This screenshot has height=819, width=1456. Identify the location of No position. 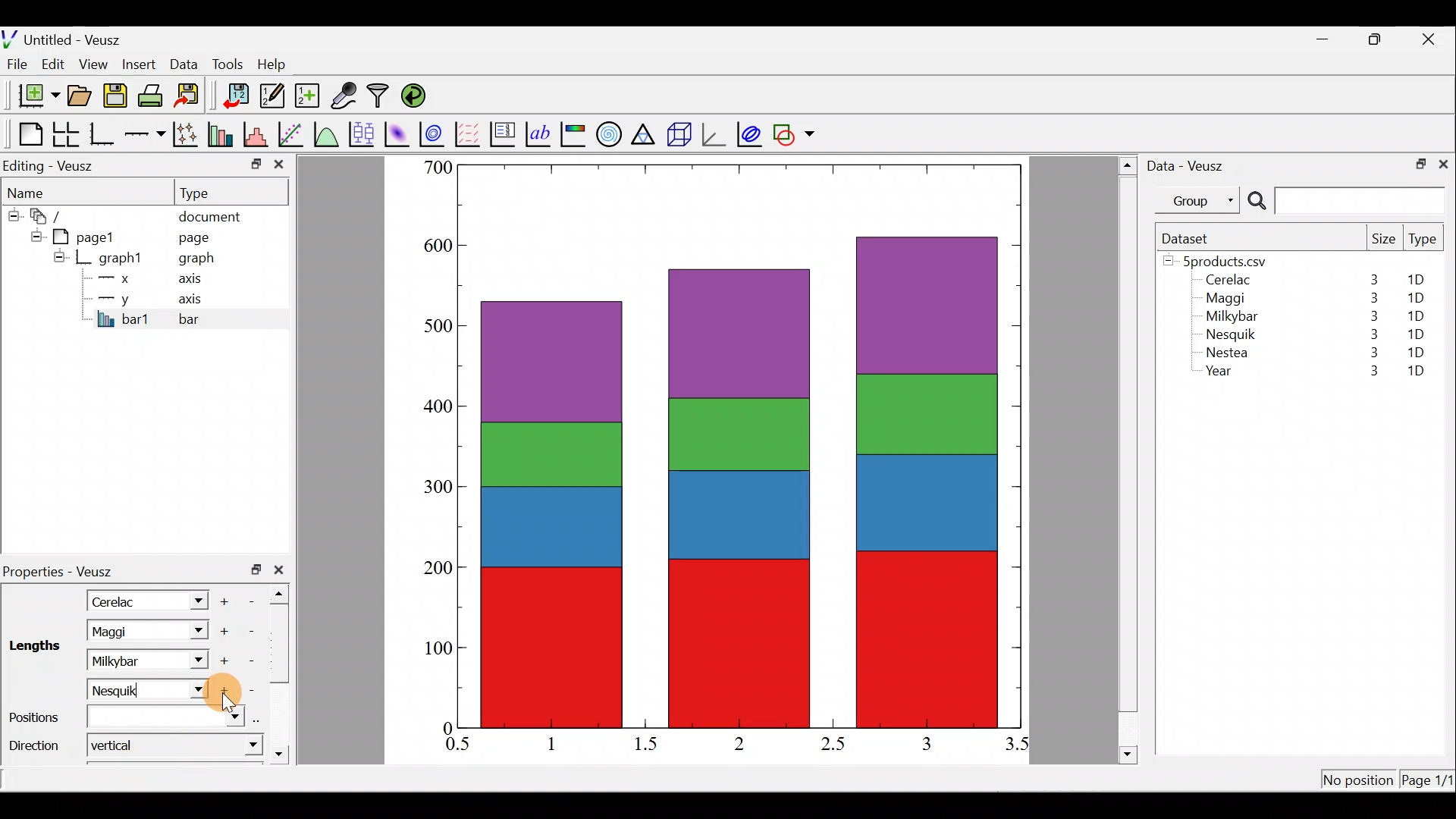
(1359, 781).